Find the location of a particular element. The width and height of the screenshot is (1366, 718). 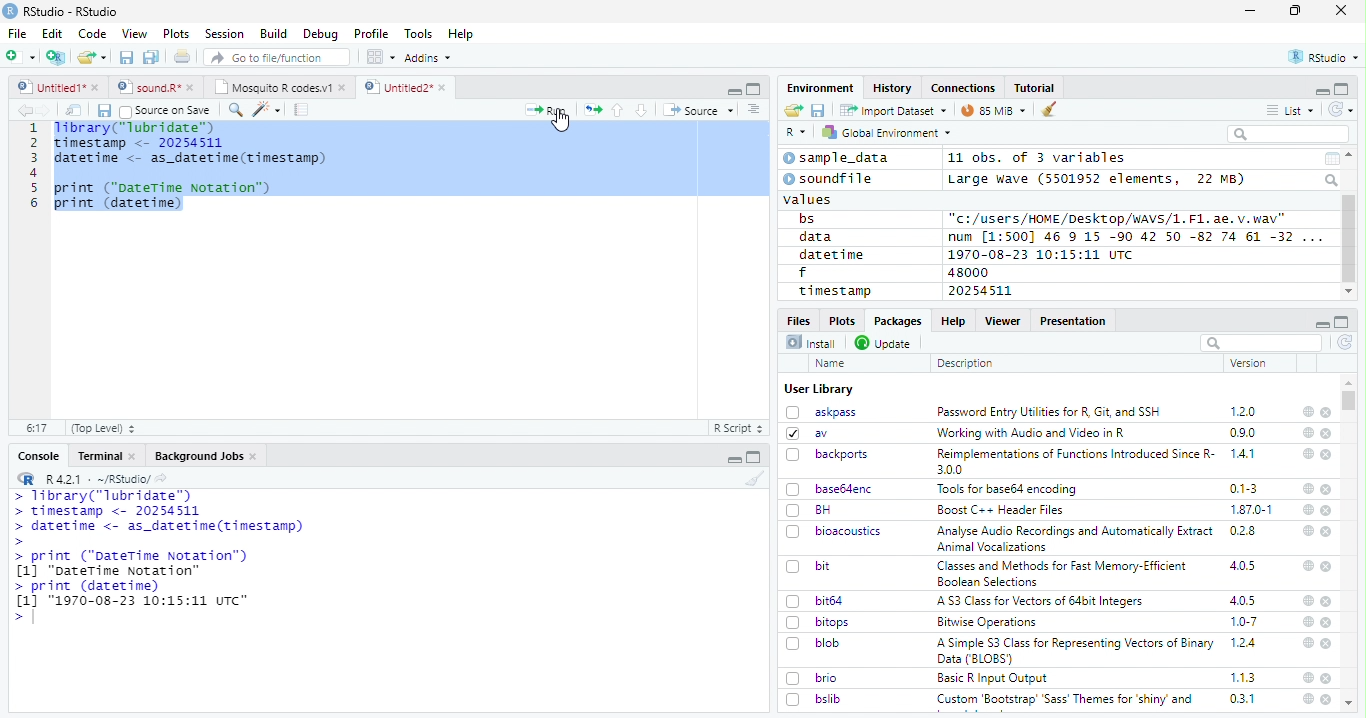

Connections is located at coordinates (962, 88).